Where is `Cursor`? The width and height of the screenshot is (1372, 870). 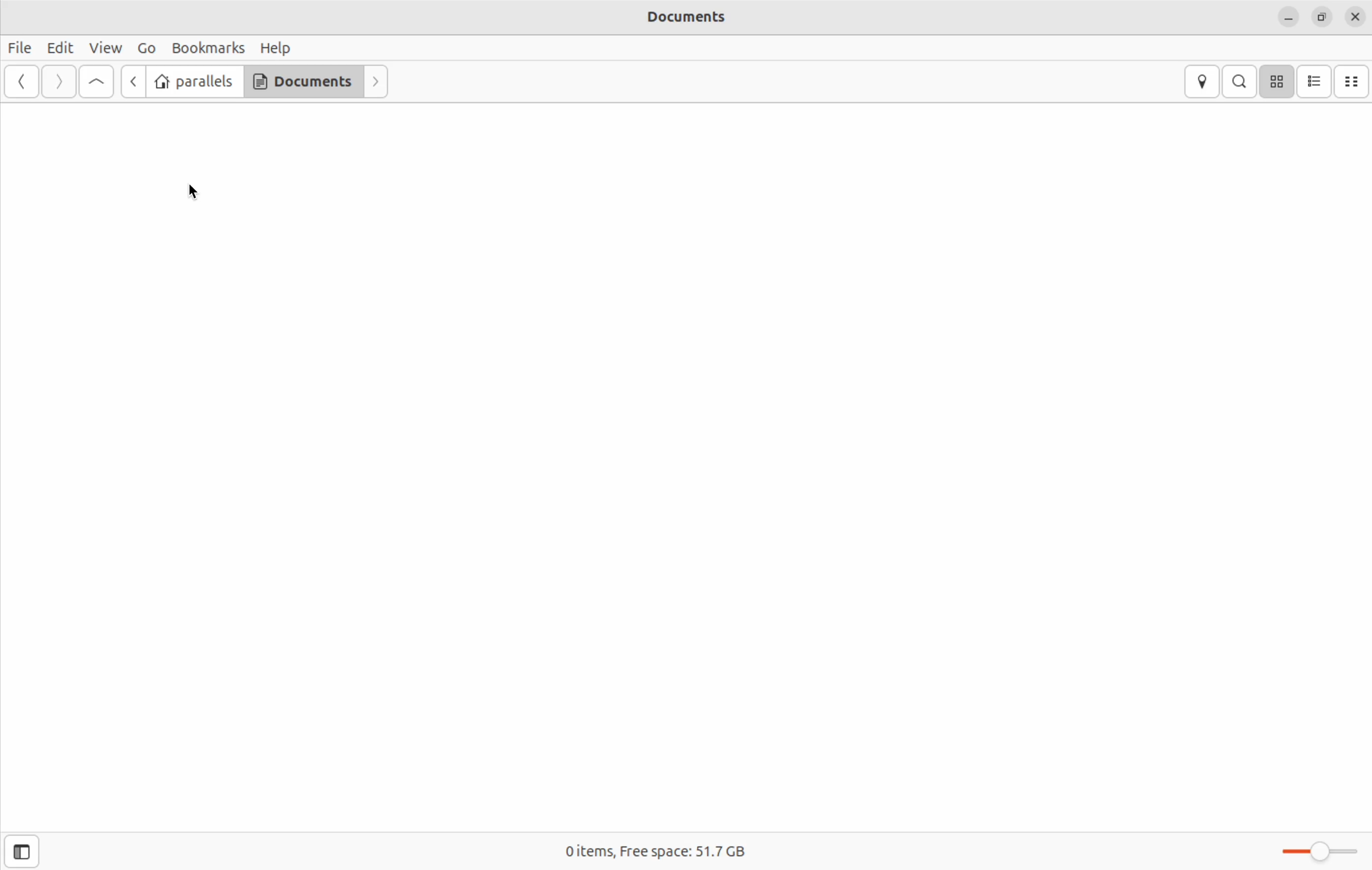 Cursor is located at coordinates (191, 192).